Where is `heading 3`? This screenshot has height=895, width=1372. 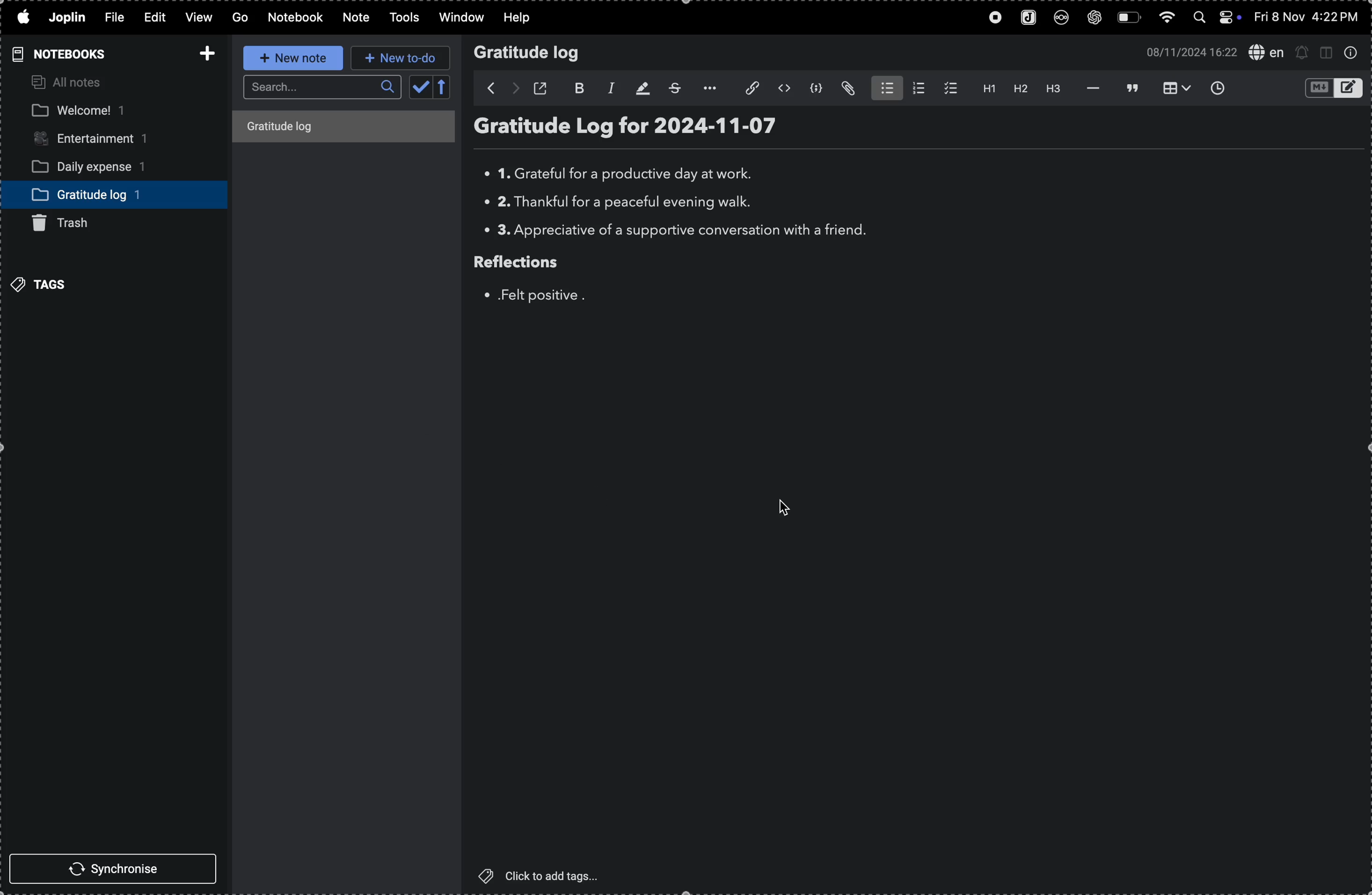 heading 3 is located at coordinates (1051, 90).